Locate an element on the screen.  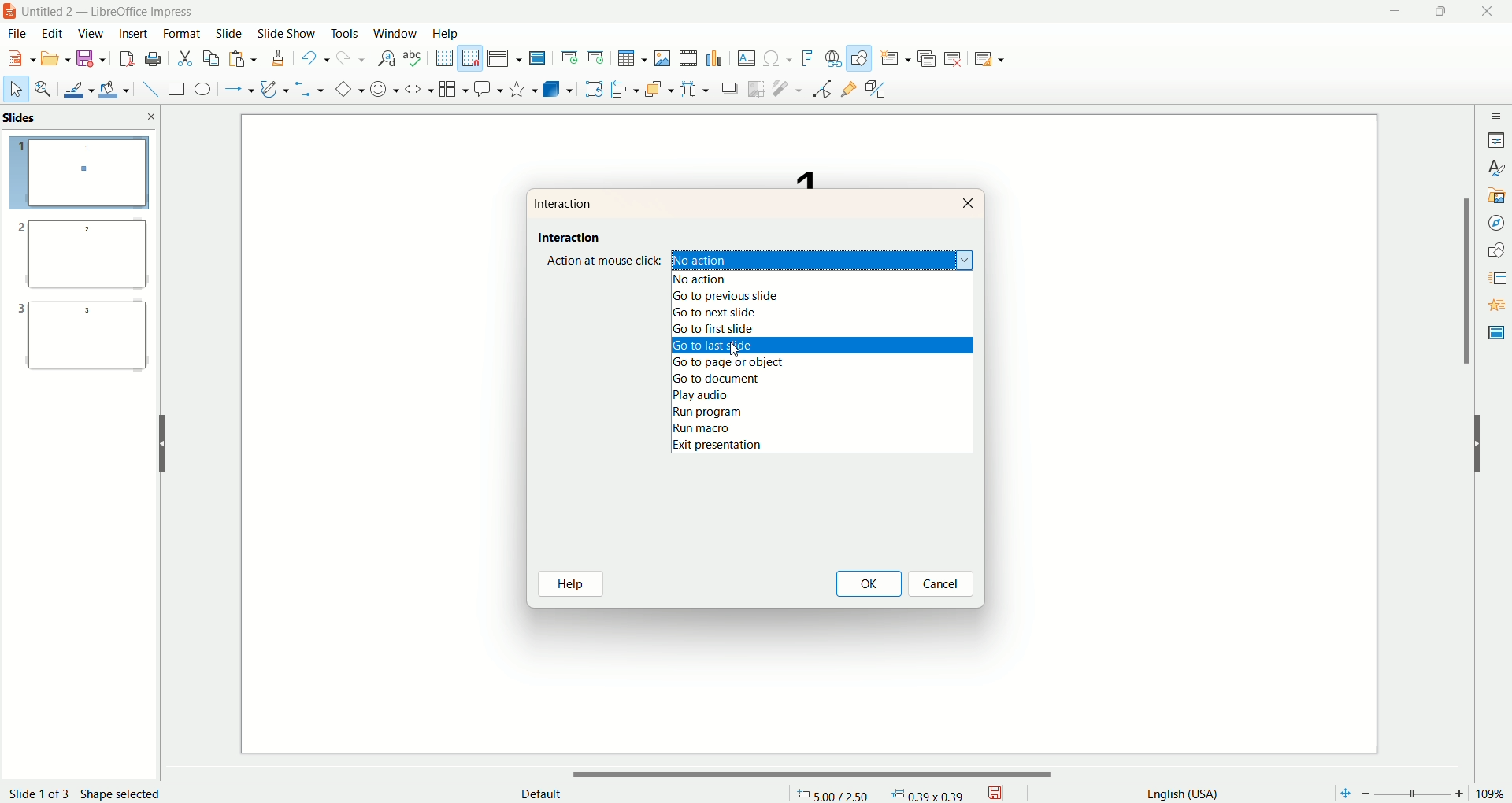
gallery is located at coordinates (1496, 195).